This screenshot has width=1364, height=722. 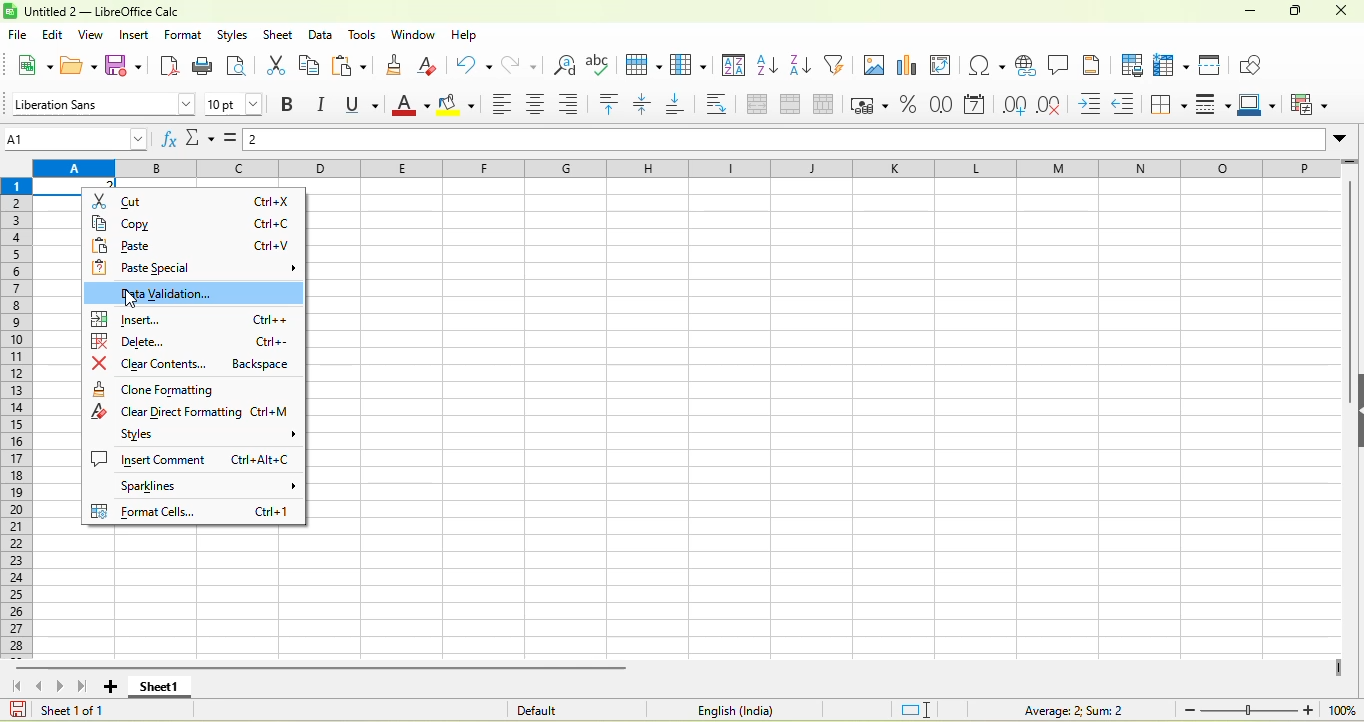 I want to click on edit, so click(x=53, y=34).